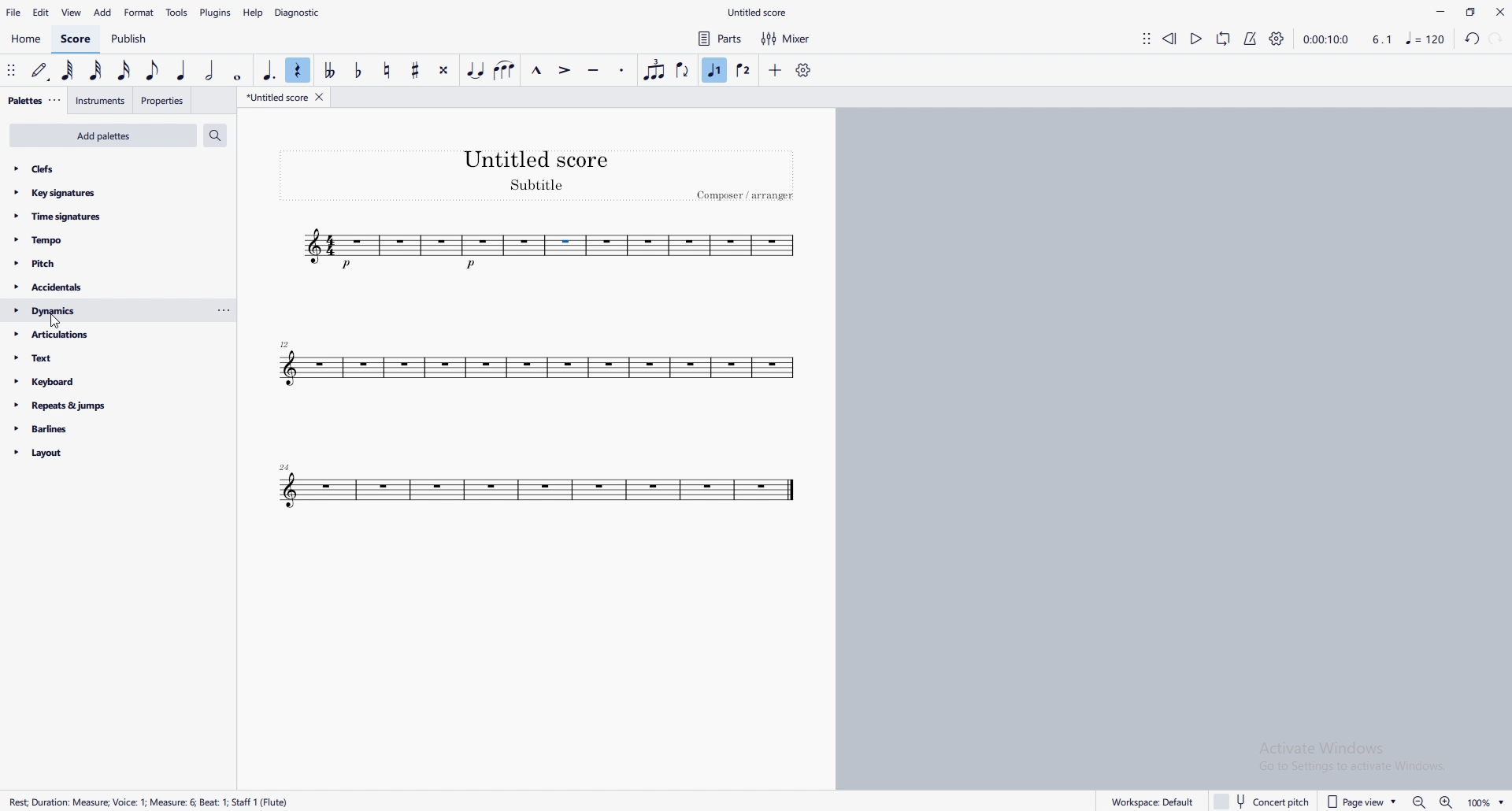  Describe the element at coordinates (549, 248) in the screenshot. I see `tune` at that location.